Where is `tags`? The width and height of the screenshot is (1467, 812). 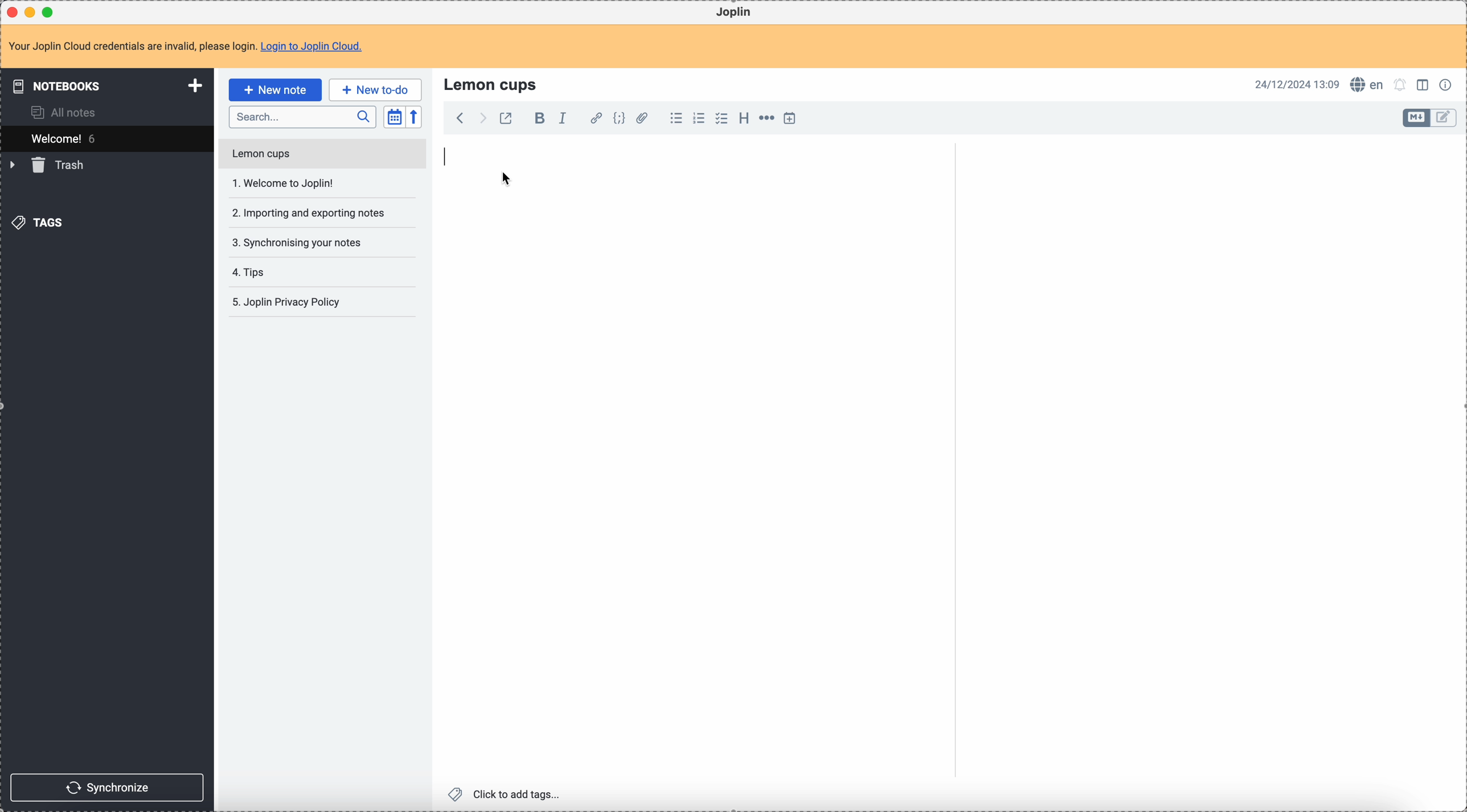
tags is located at coordinates (40, 222).